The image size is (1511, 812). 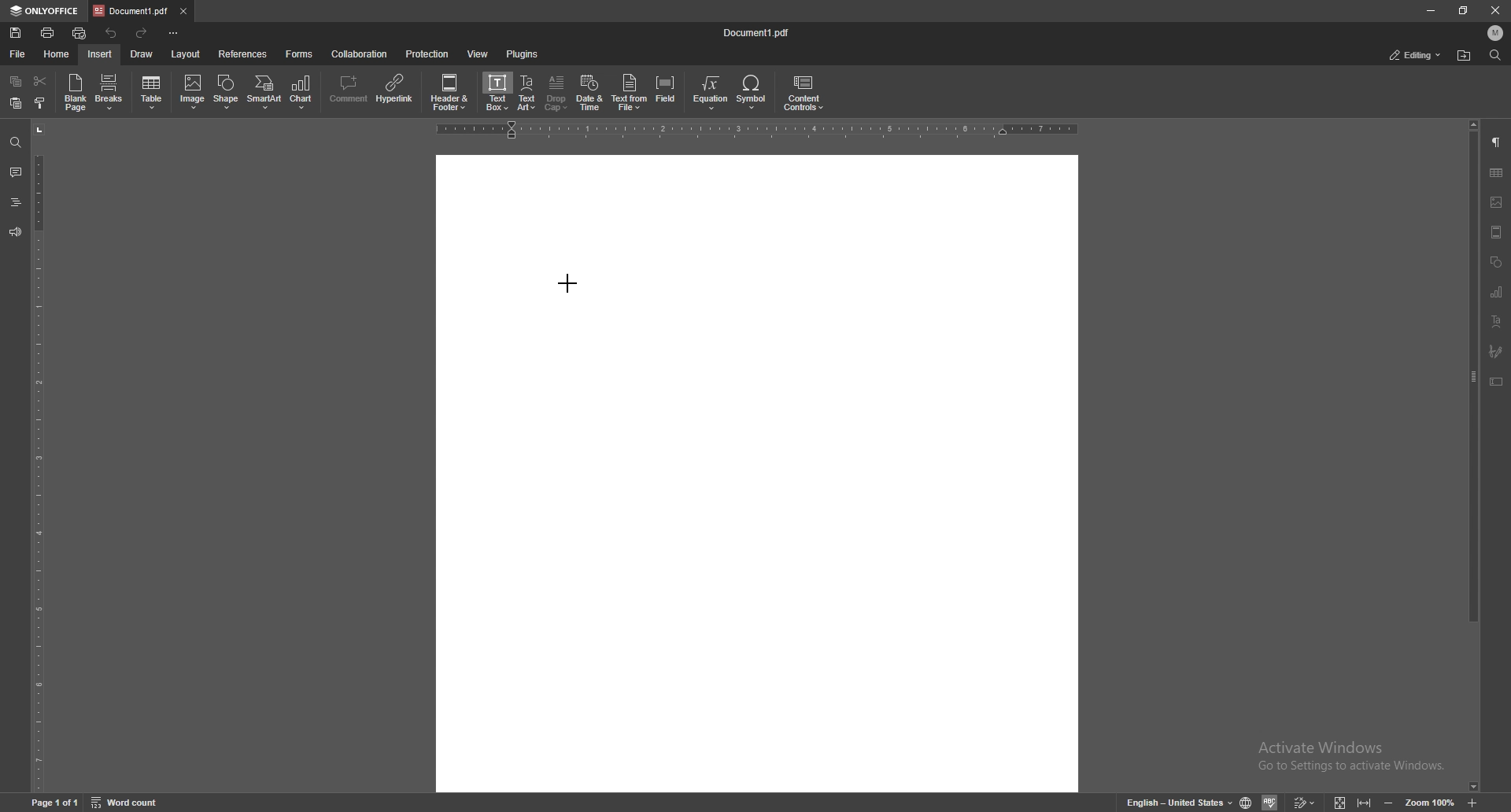 I want to click on english united states, so click(x=1180, y=803).